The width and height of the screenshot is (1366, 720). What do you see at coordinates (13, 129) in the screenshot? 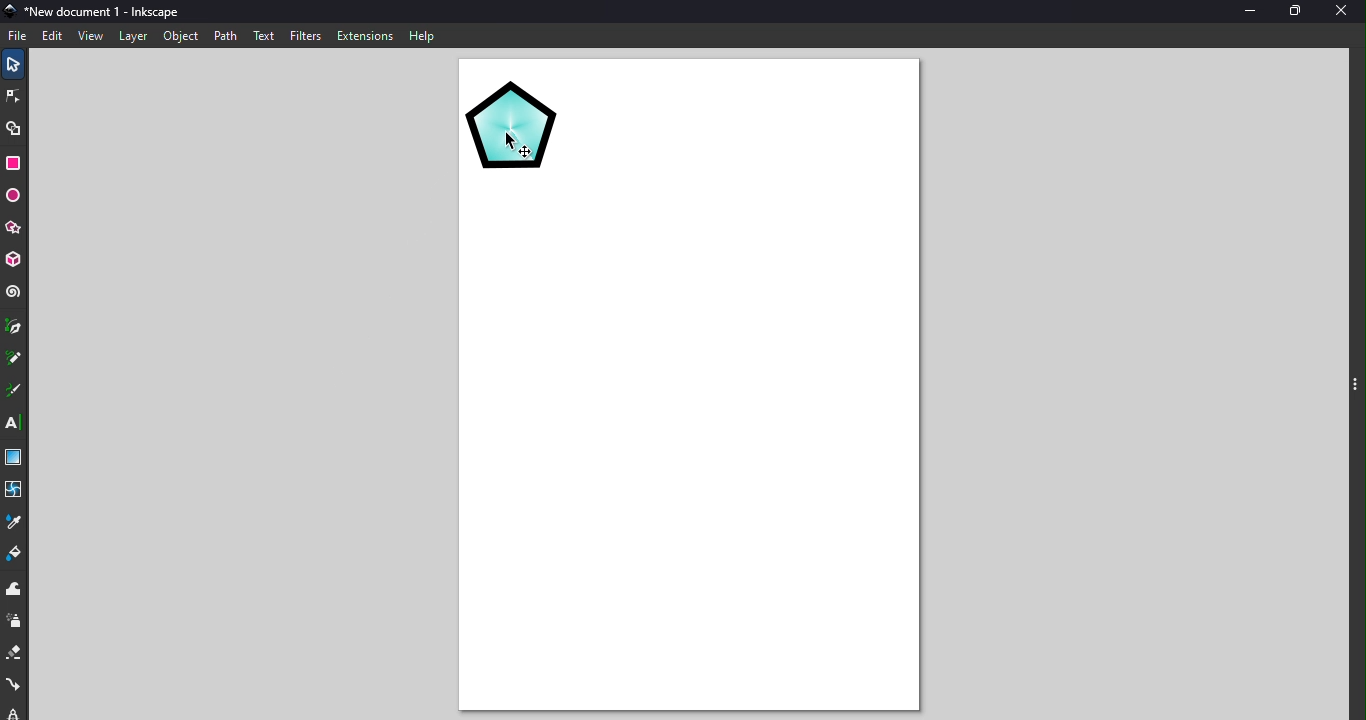
I see `Shape builder tool` at bounding box center [13, 129].